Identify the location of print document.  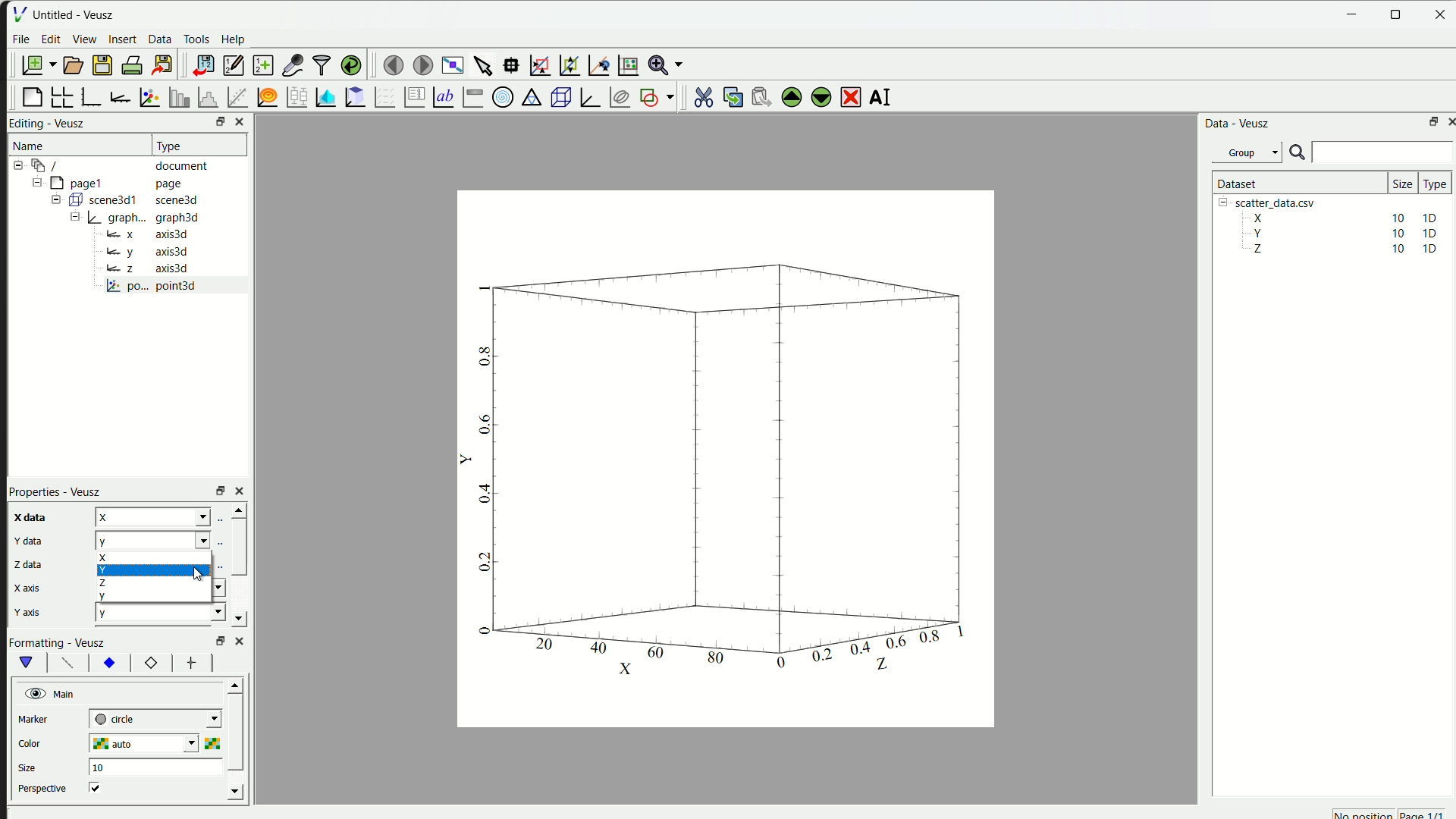
(132, 65).